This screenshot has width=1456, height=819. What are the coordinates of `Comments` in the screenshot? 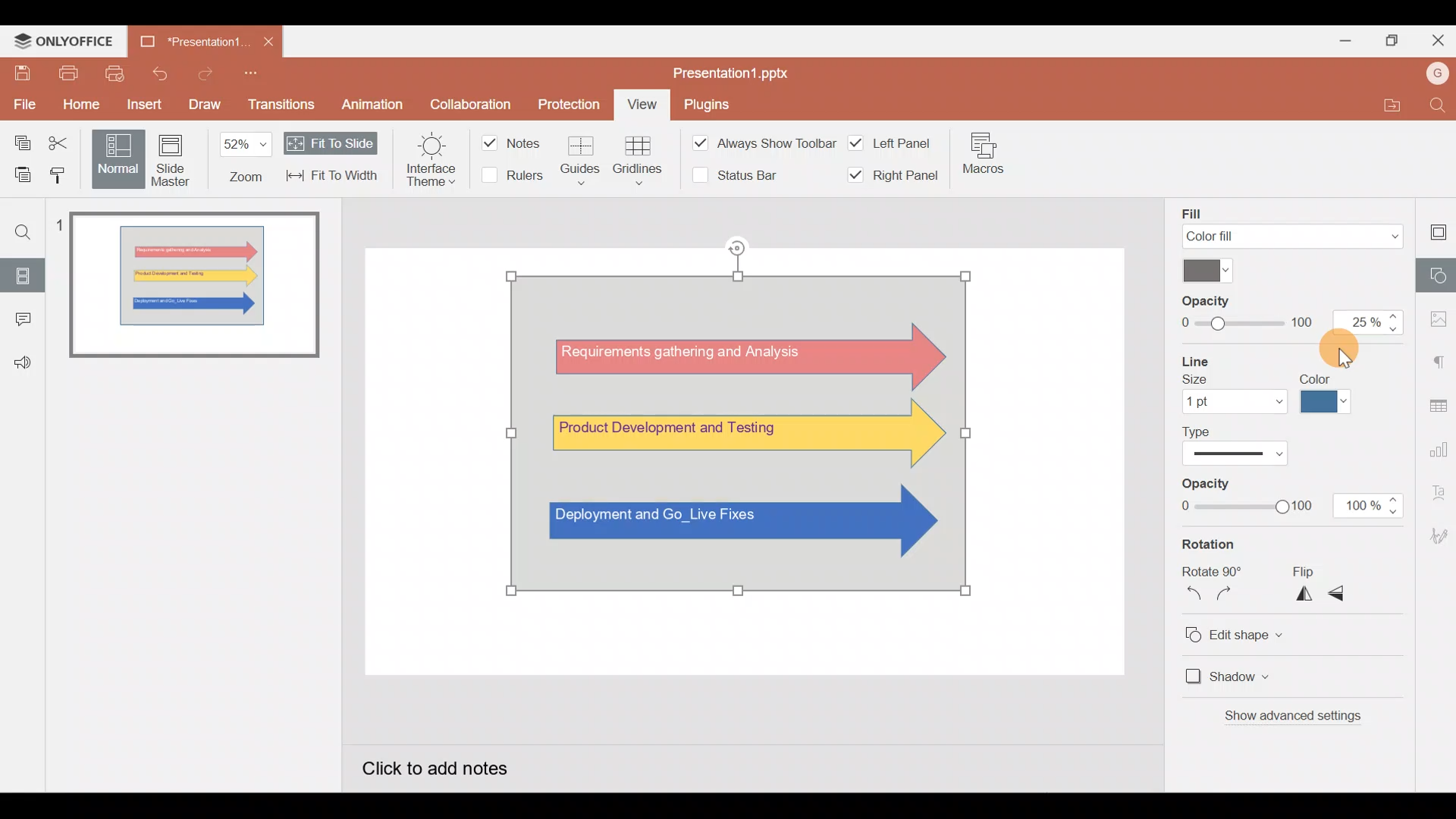 It's located at (24, 315).